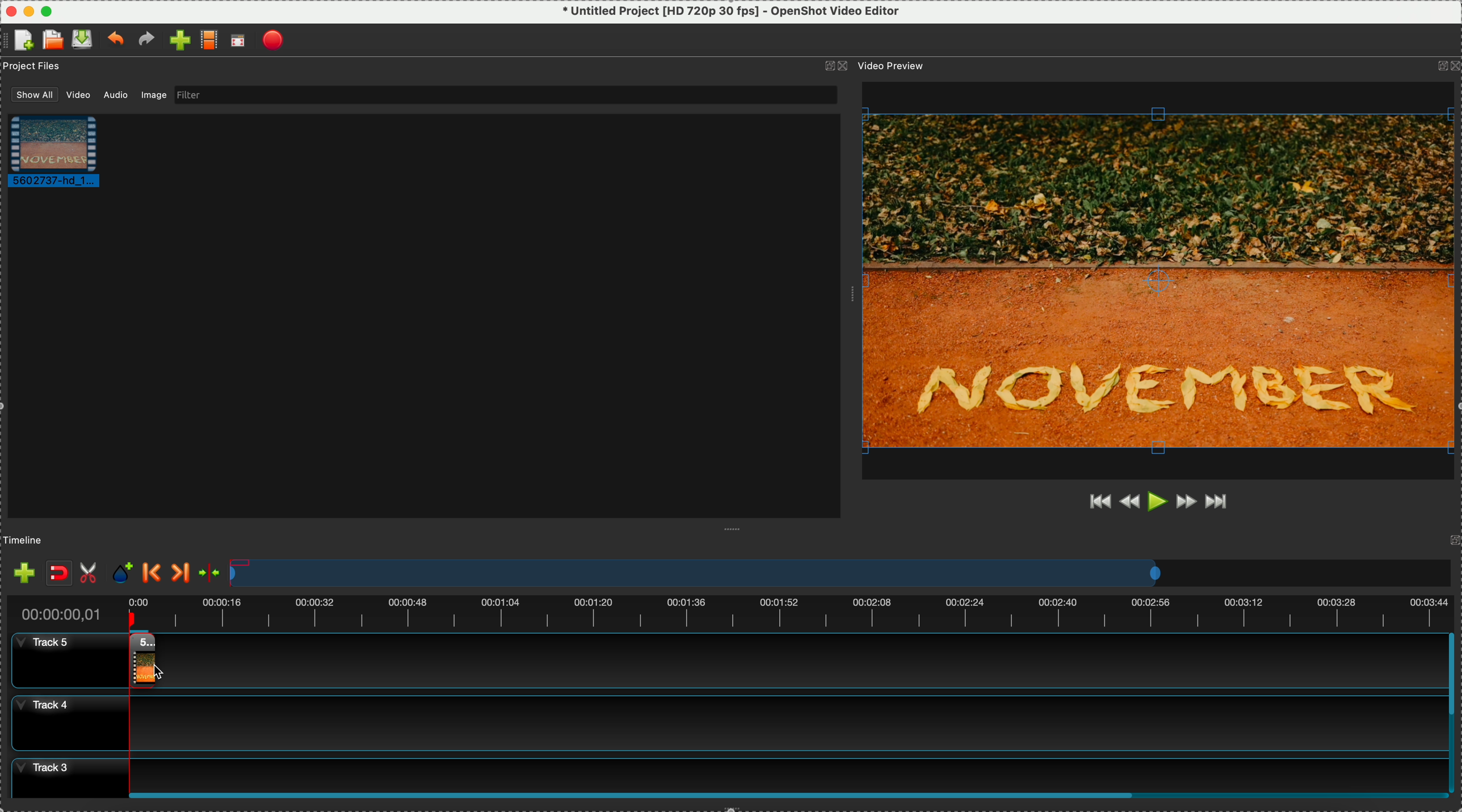 The image size is (1462, 812). Describe the element at coordinates (899, 66) in the screenshot. I see `video preview` at that location.